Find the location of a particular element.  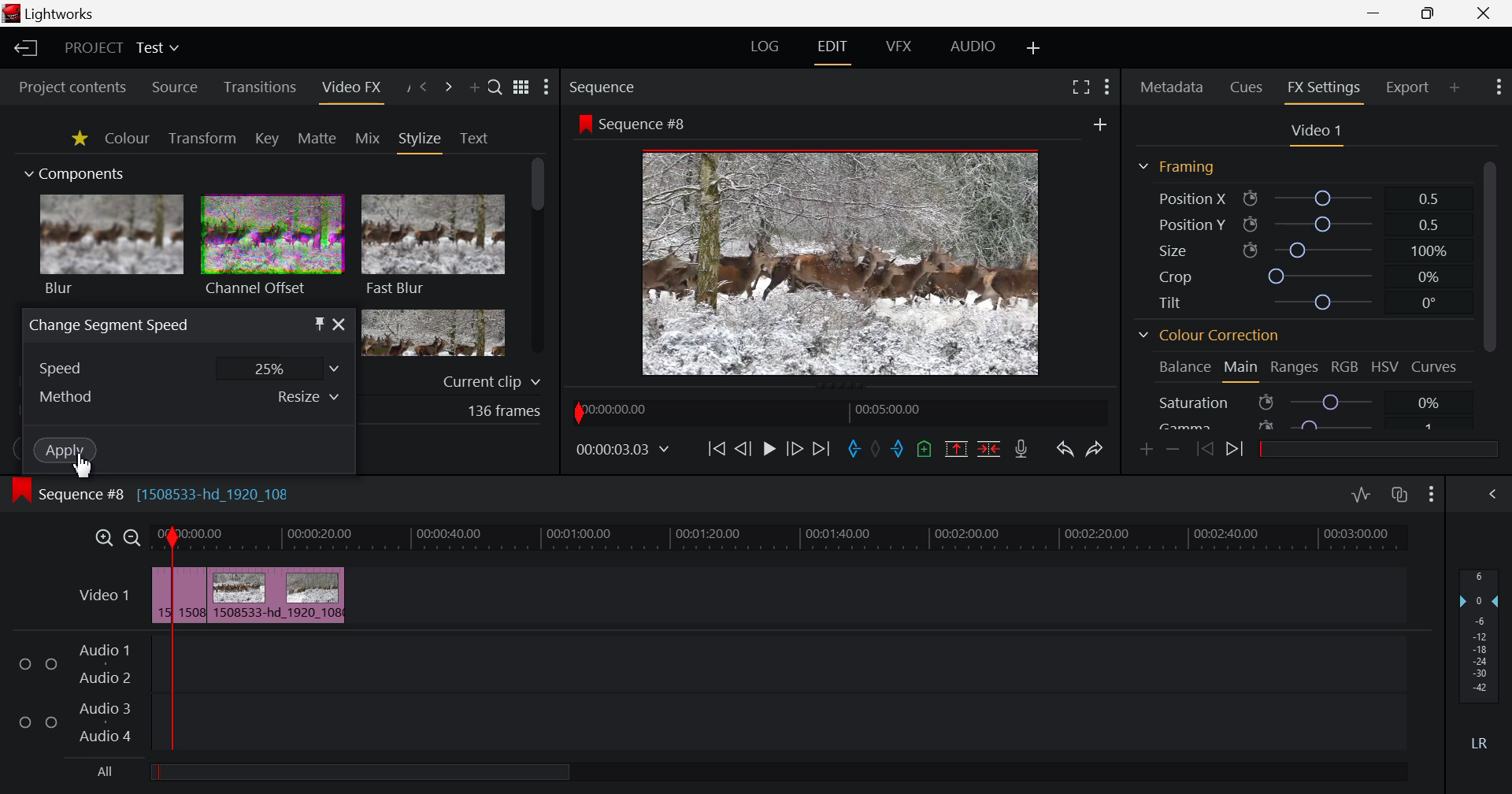

Cursor on Apply is located at coordinates (67, 451).